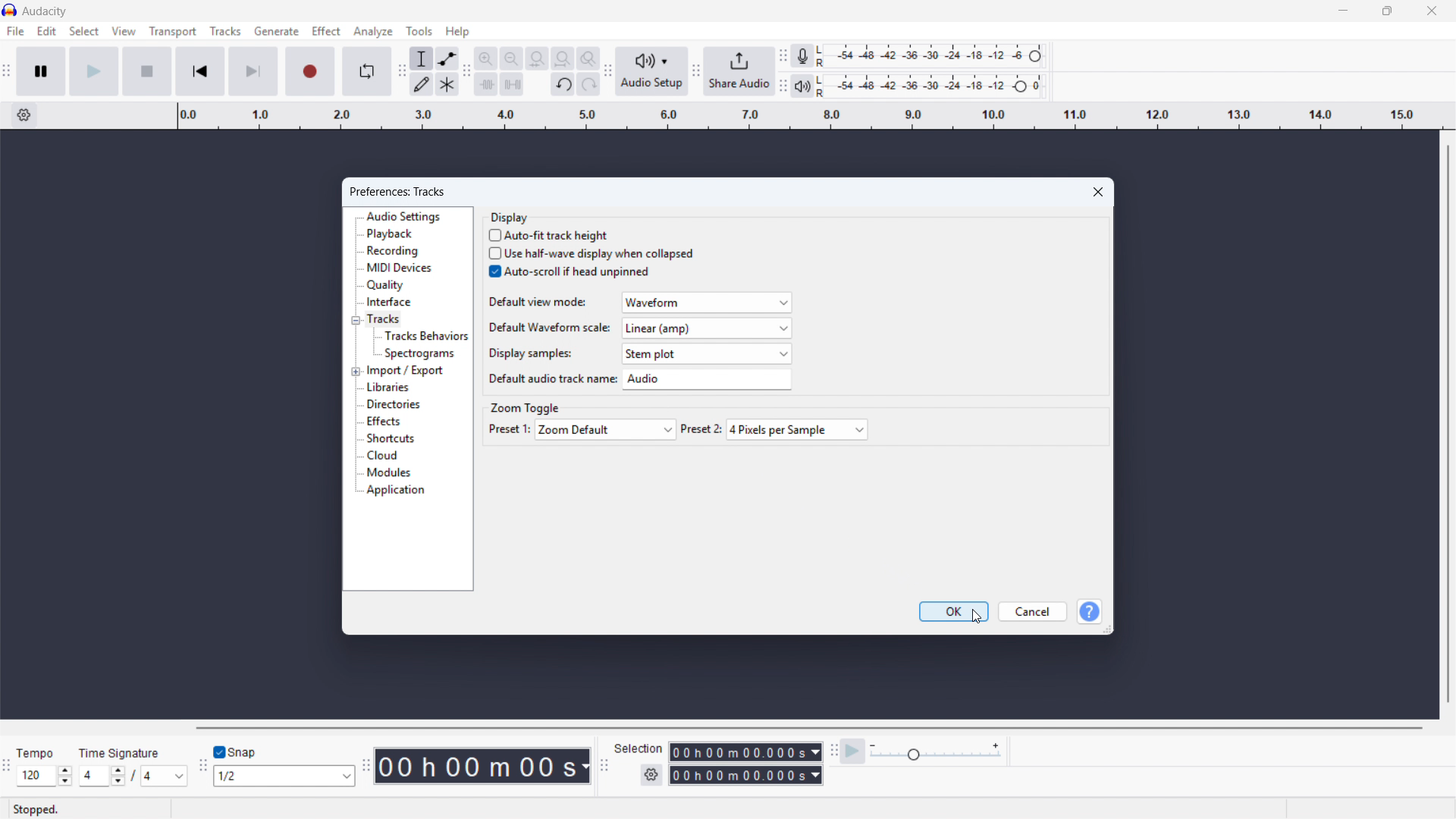  I want to click on draw tool, so click(422, 83).